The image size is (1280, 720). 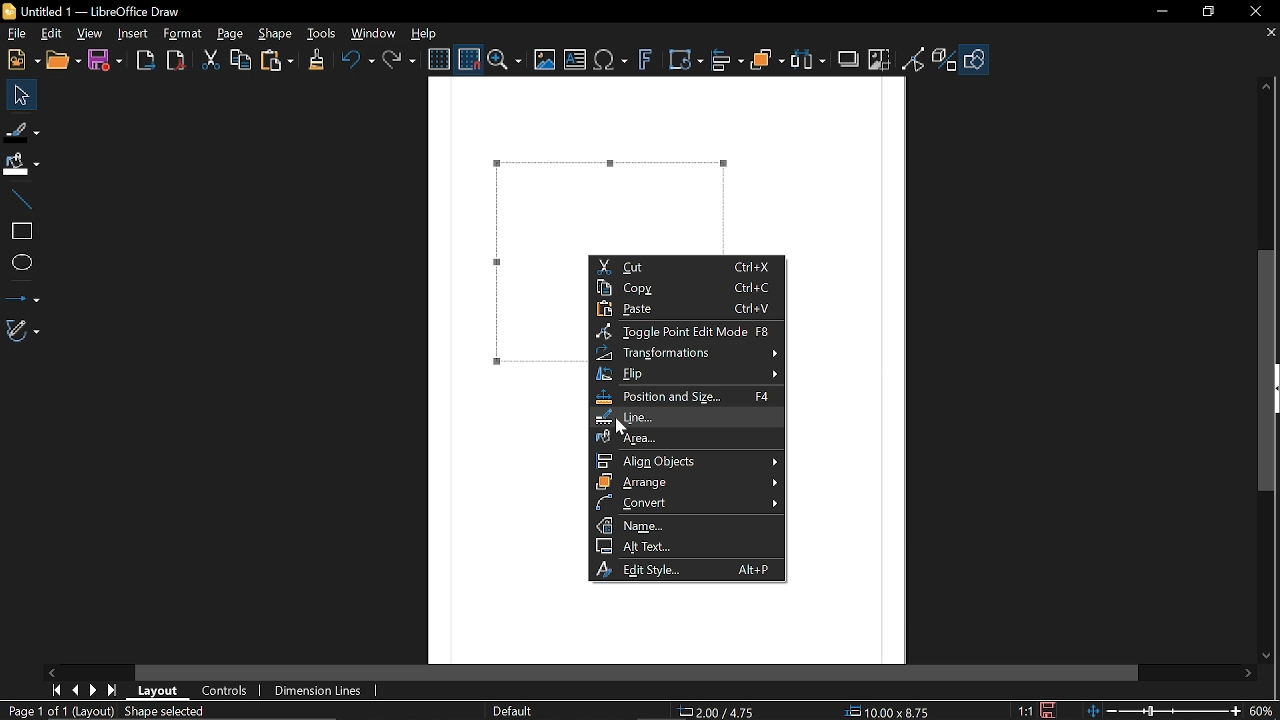 What do you see at coordinates (467, 58) in the screenshot?
I see `Snap to grid` at bounding box center [467, 58].